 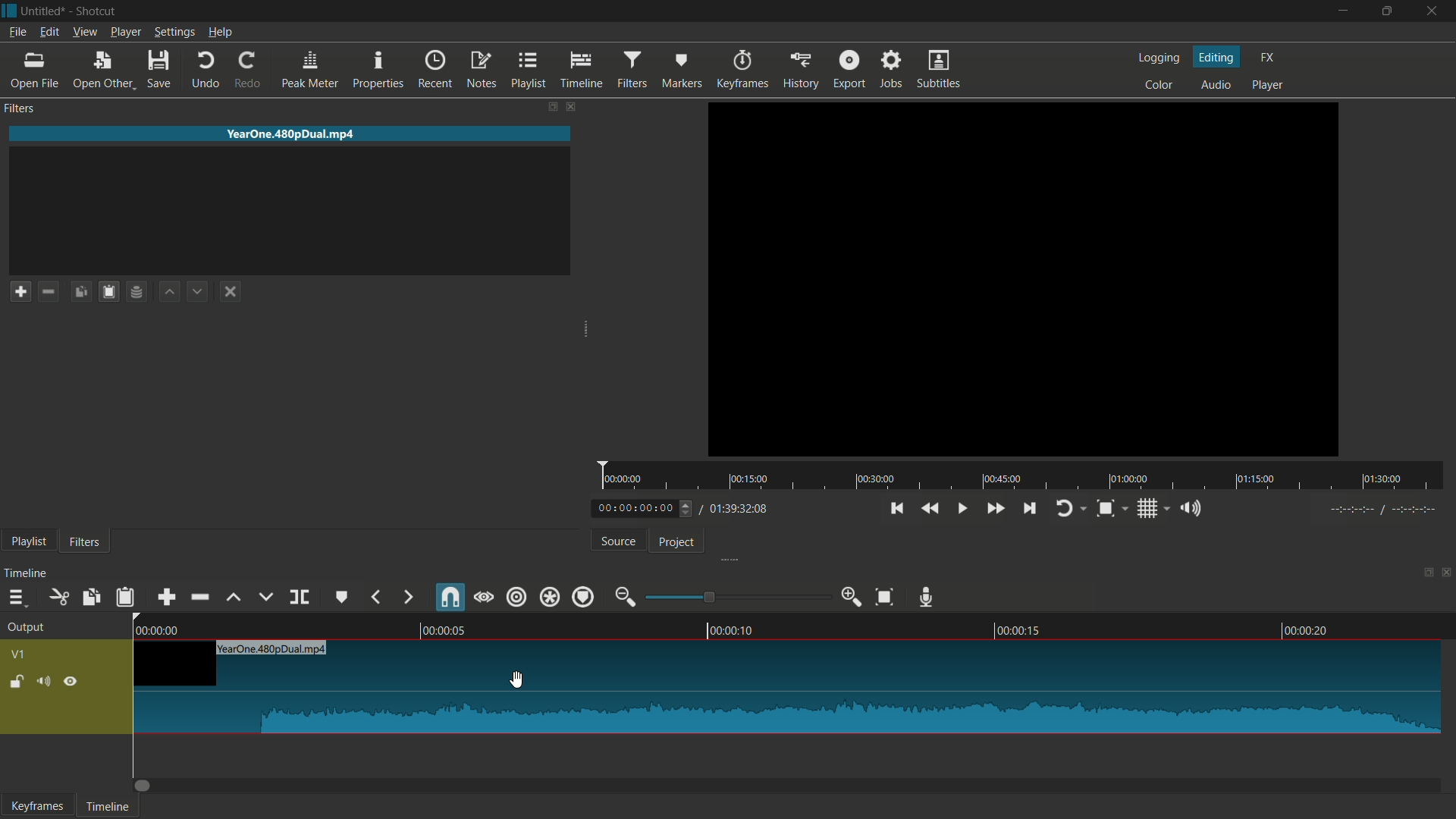 I want to click on playlist, so click(x=29, y=542).